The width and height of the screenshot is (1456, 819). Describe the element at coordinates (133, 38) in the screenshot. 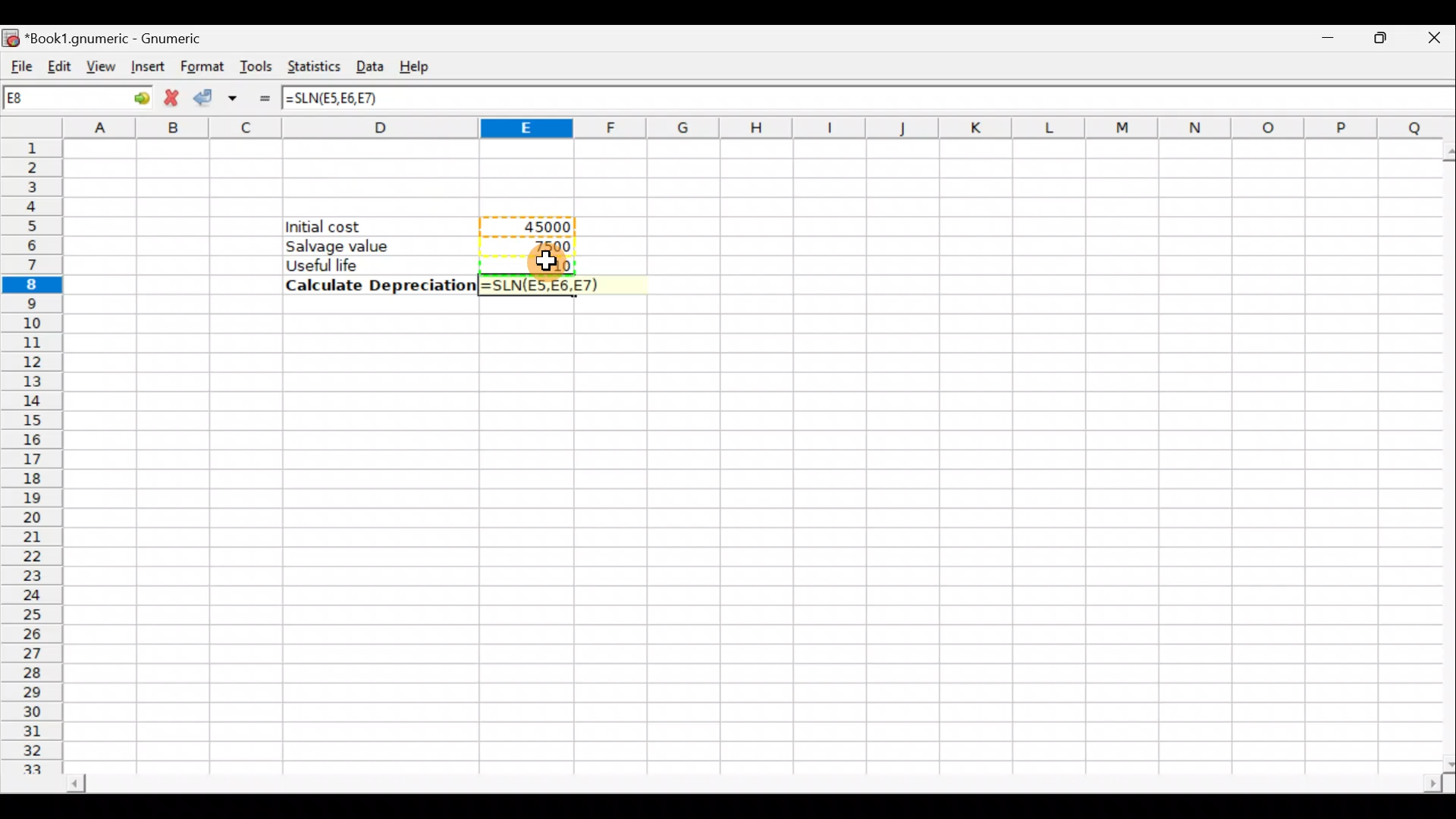

I see `*Book1.gnumeric - Gnumeric` at that location.